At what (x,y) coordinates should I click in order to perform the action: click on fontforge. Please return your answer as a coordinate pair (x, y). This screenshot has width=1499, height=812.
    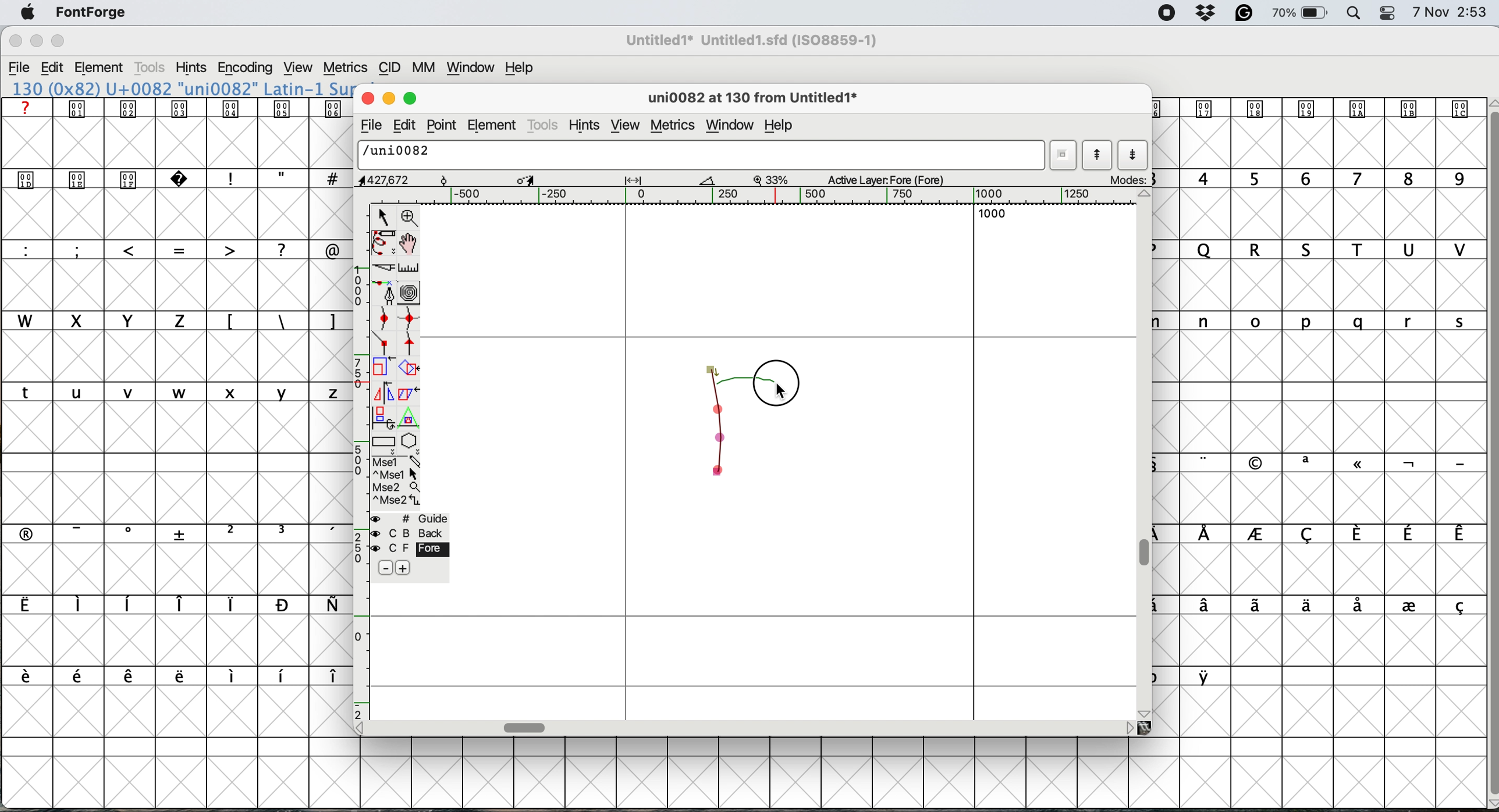
    Looking at the image, I should click on (91, 12).